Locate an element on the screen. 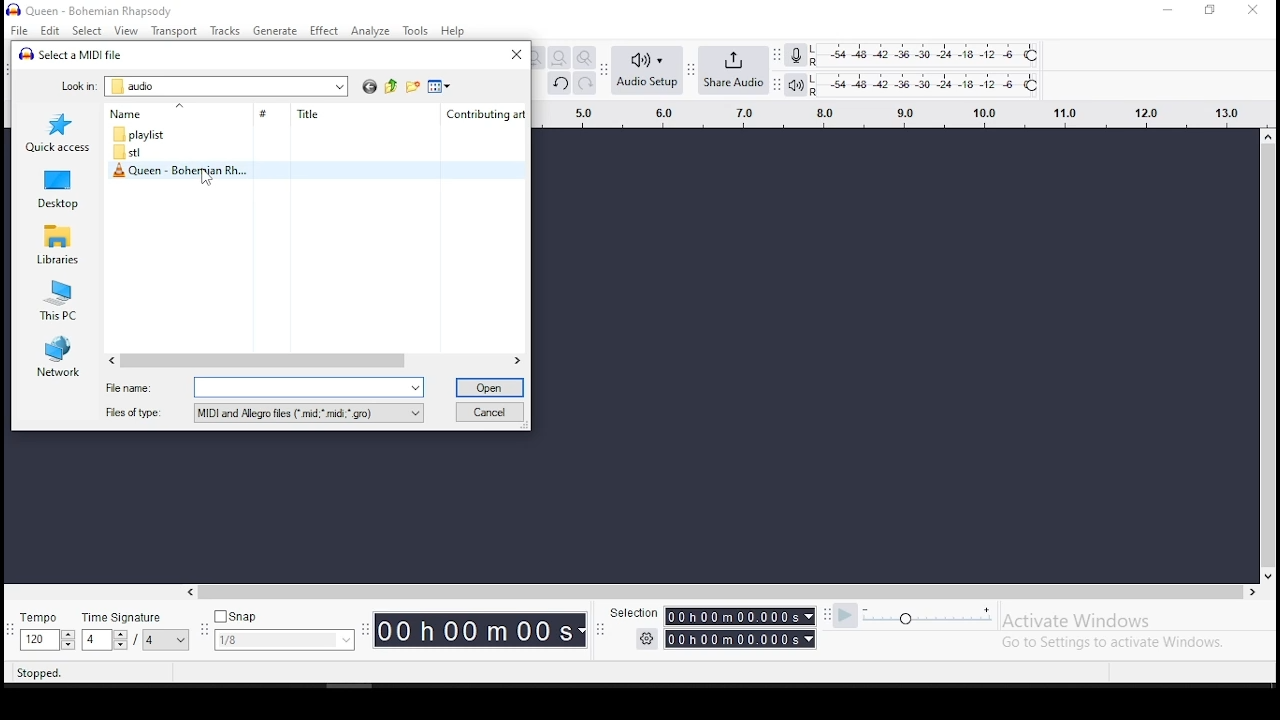 The image size is (1280, 720). 00h00M00s is located at coordinates (480, 630).